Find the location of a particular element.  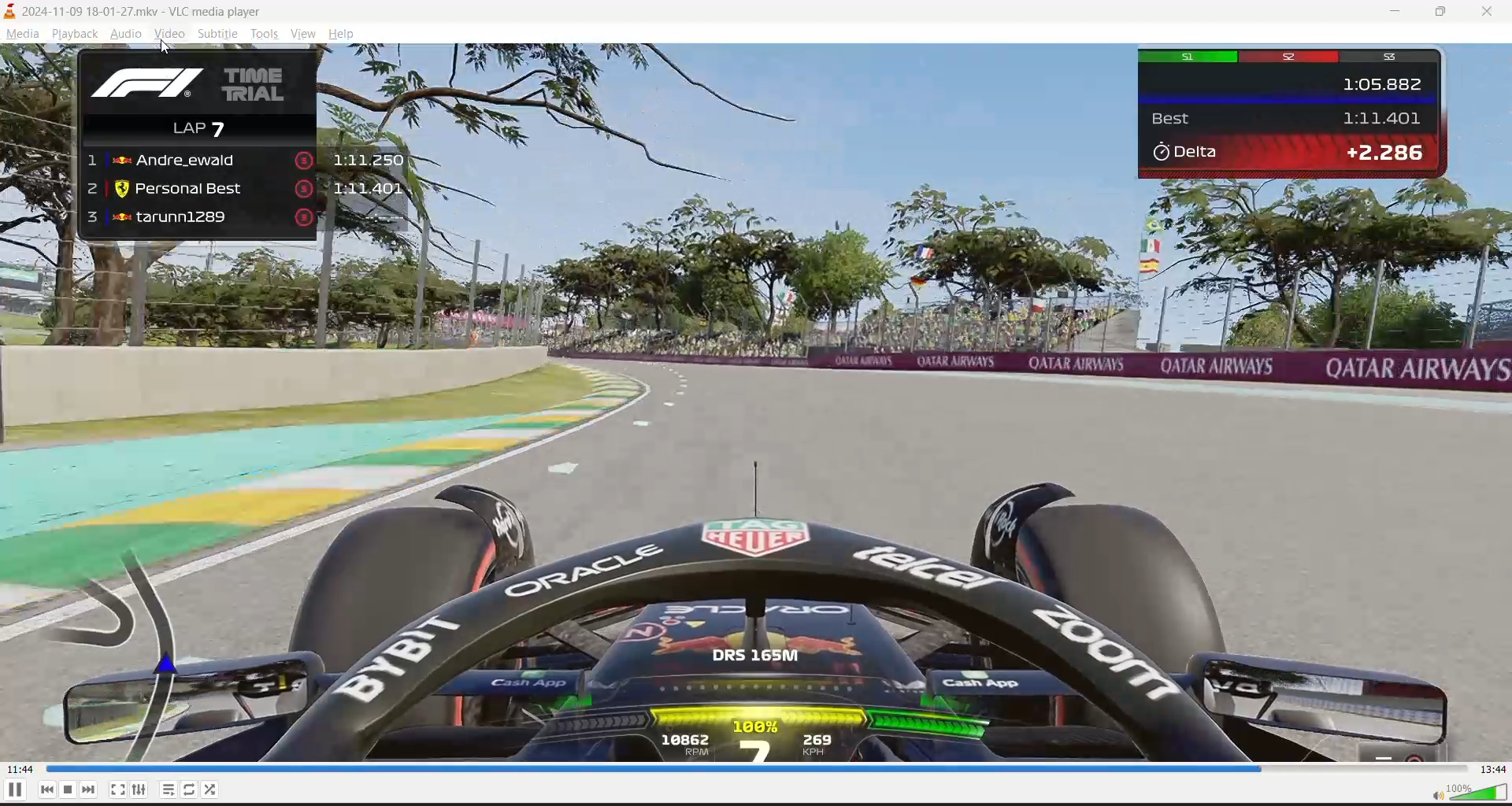

cursor is located at coordinates (168, 49).